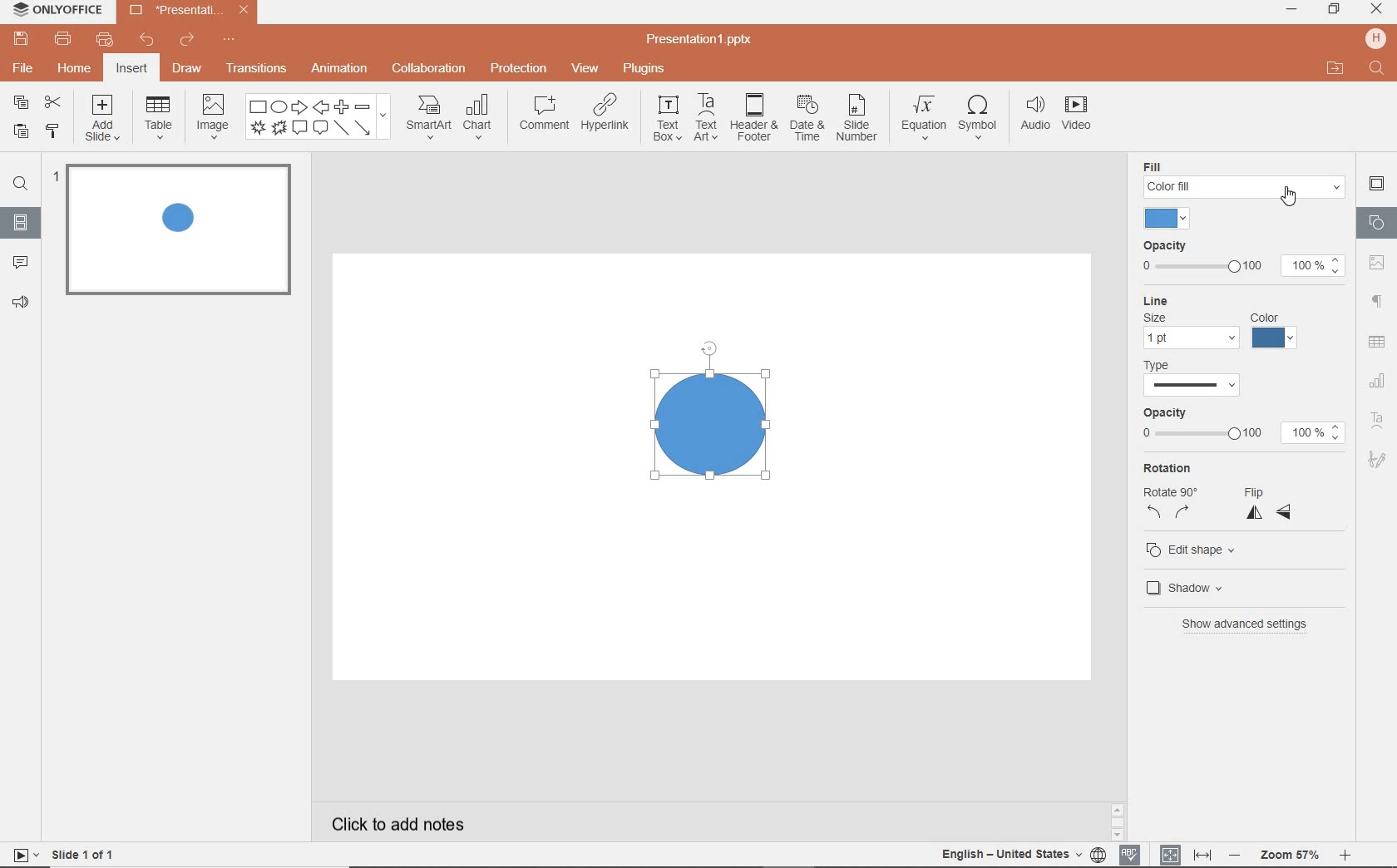  Describe the element at coordinates (1374, 38) in the screenshot. I see `hp` at that location.